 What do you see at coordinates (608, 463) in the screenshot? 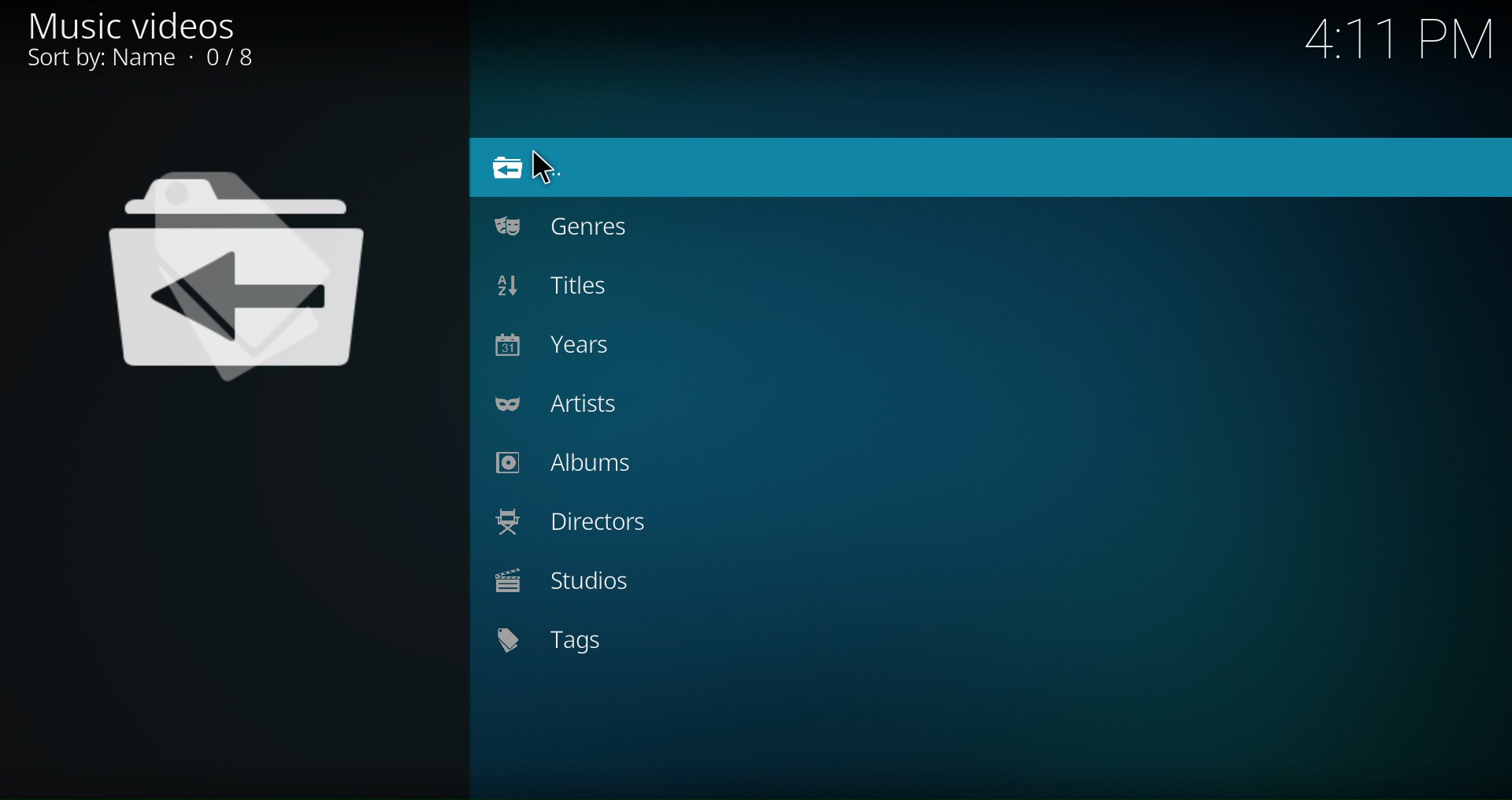
I see `Albums` at bounding box center [608, 463].